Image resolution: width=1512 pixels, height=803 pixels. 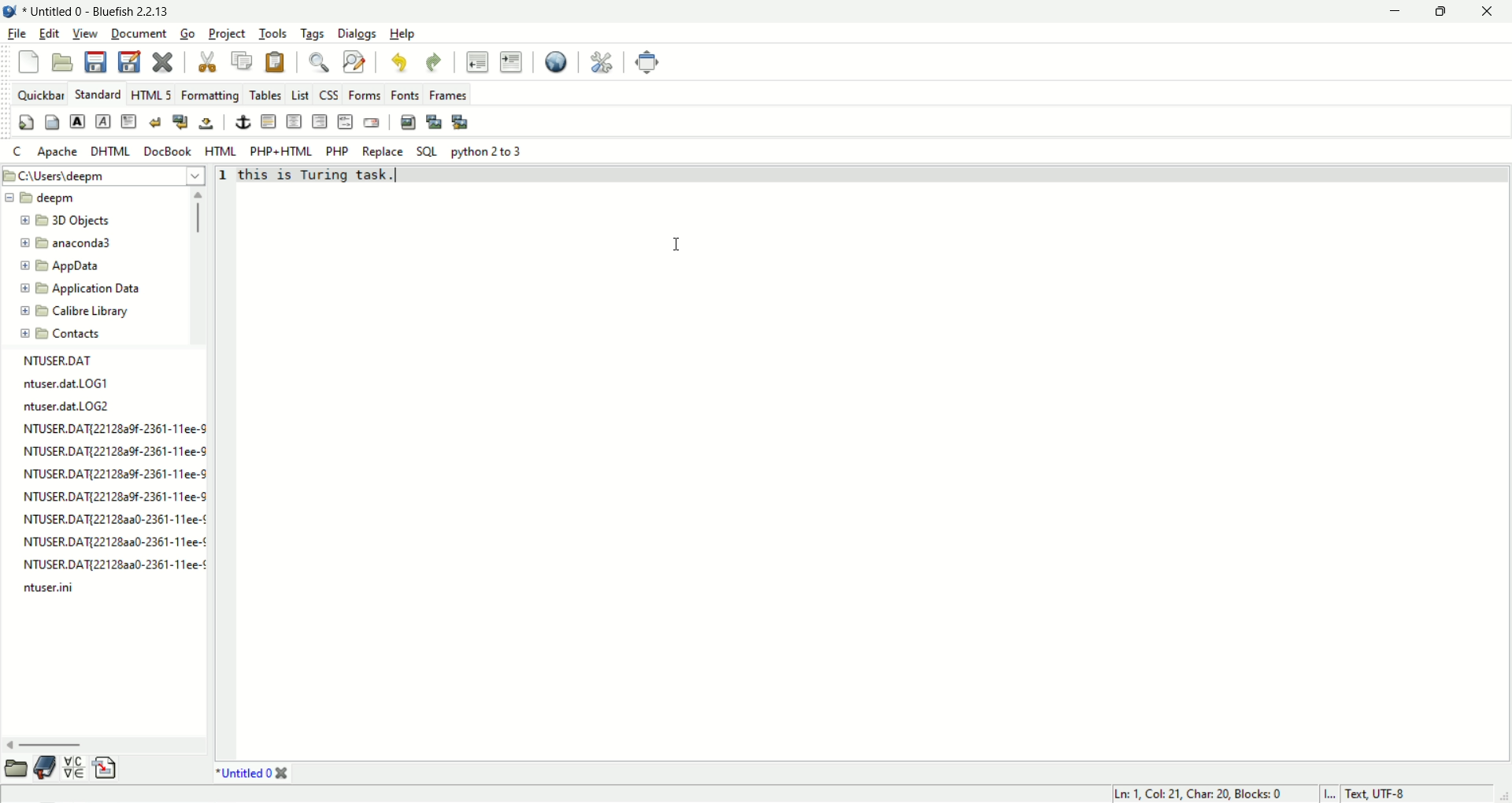 What do you see at coordinates (83, 289) in the screenshot?
I see `folder name` at bounding box center [83, 289].